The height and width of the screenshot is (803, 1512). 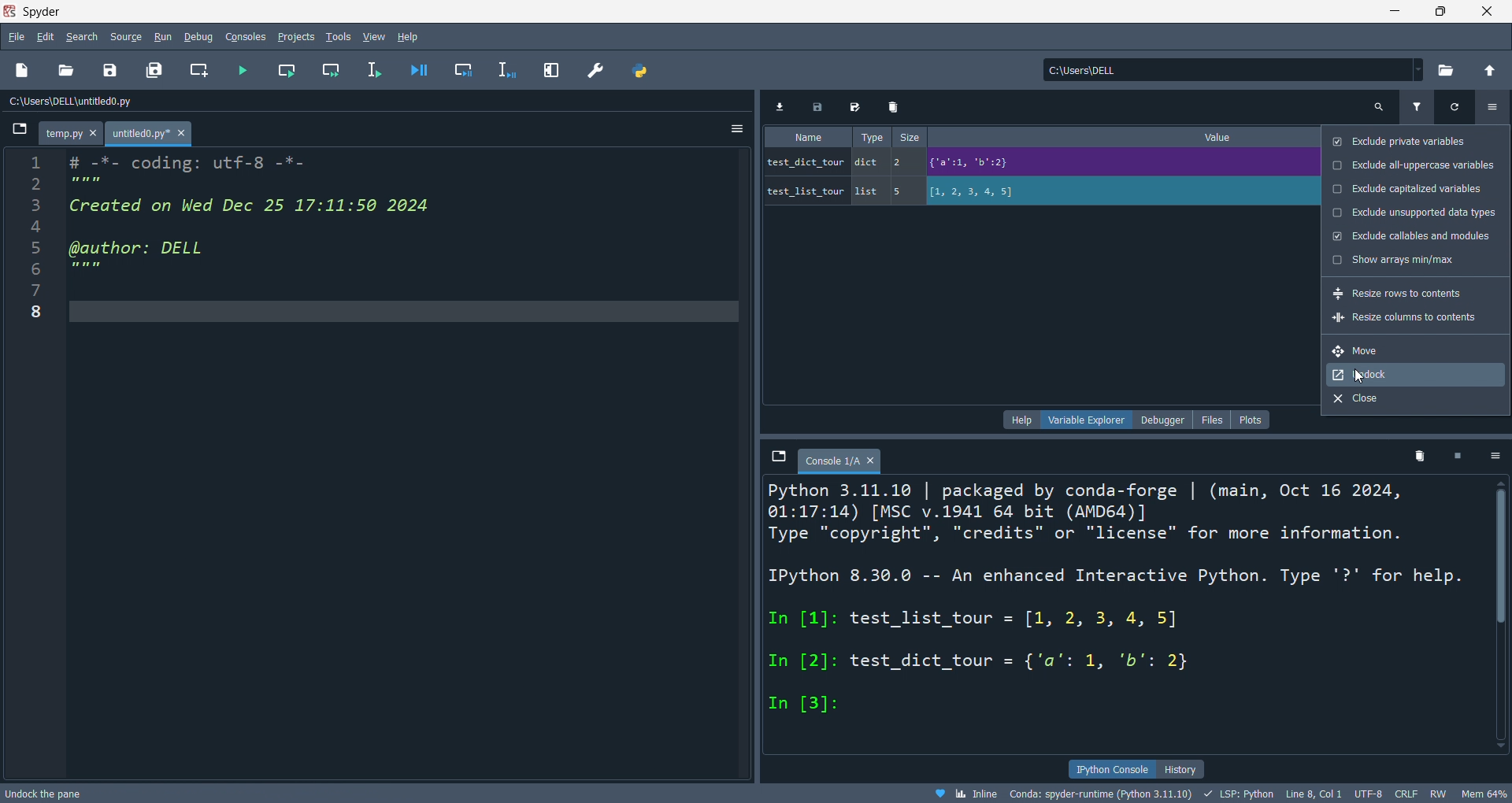 What do you see at coordinates (1036, 161) in the screenshot?
I see `test_dict_tour ` at bounding box center [1036, 161].